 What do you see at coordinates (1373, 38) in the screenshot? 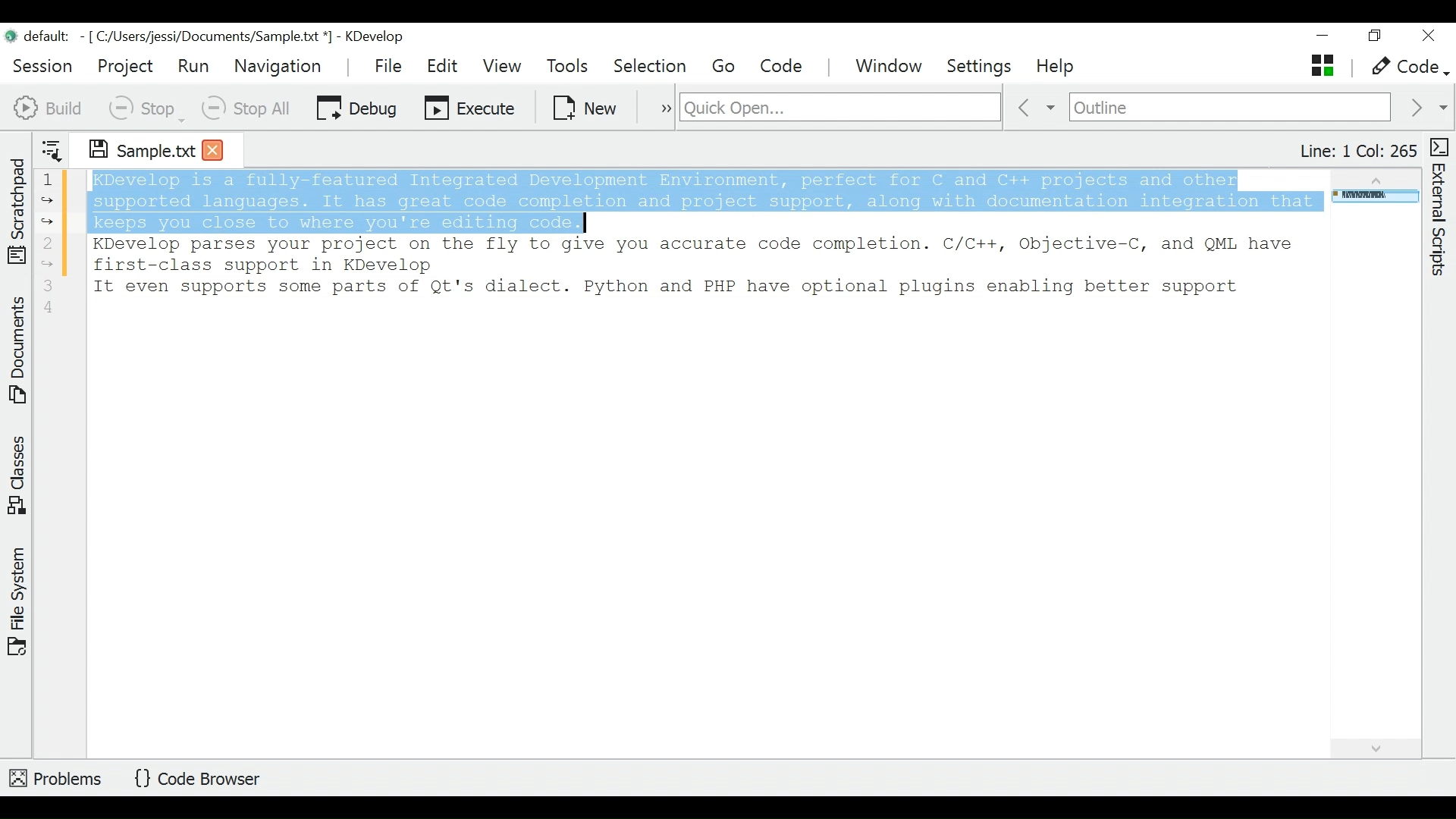
I see `Restore` at bounding box center [1373, 38].